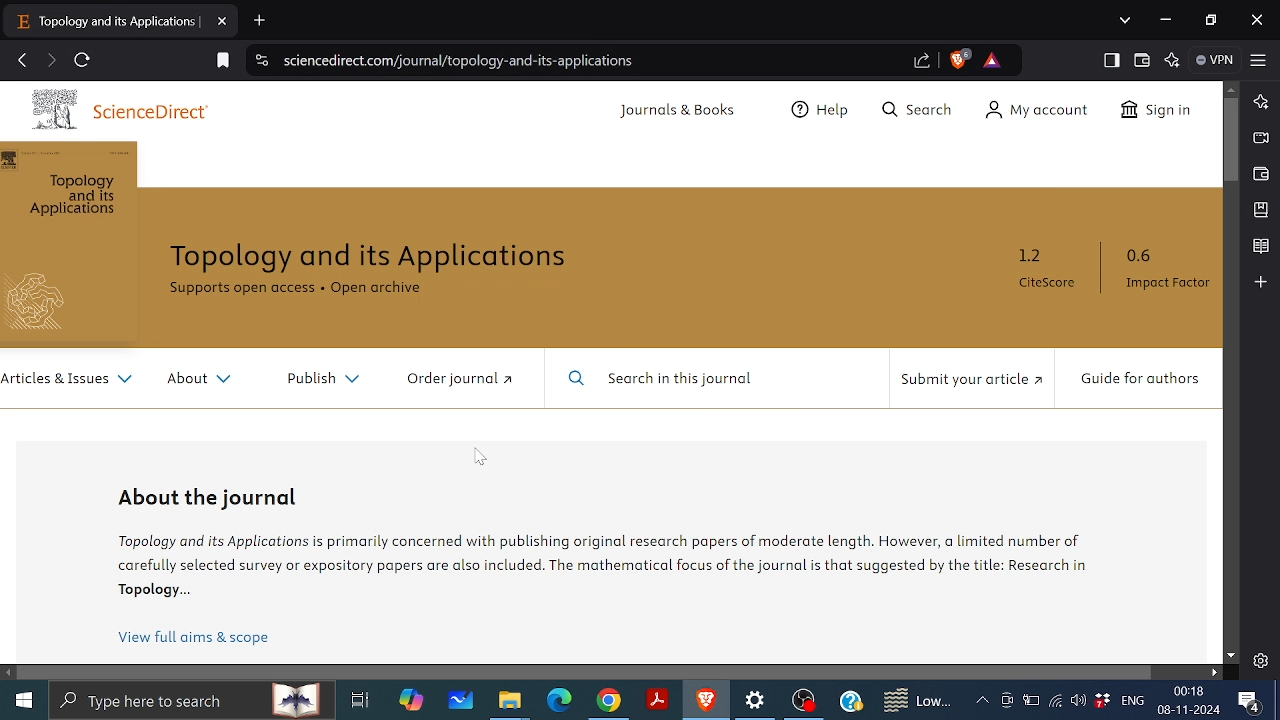 Image resolution: width=1280 pixels, height=720 pixels. I want to click on Microsoft edge, so click(558, 702).